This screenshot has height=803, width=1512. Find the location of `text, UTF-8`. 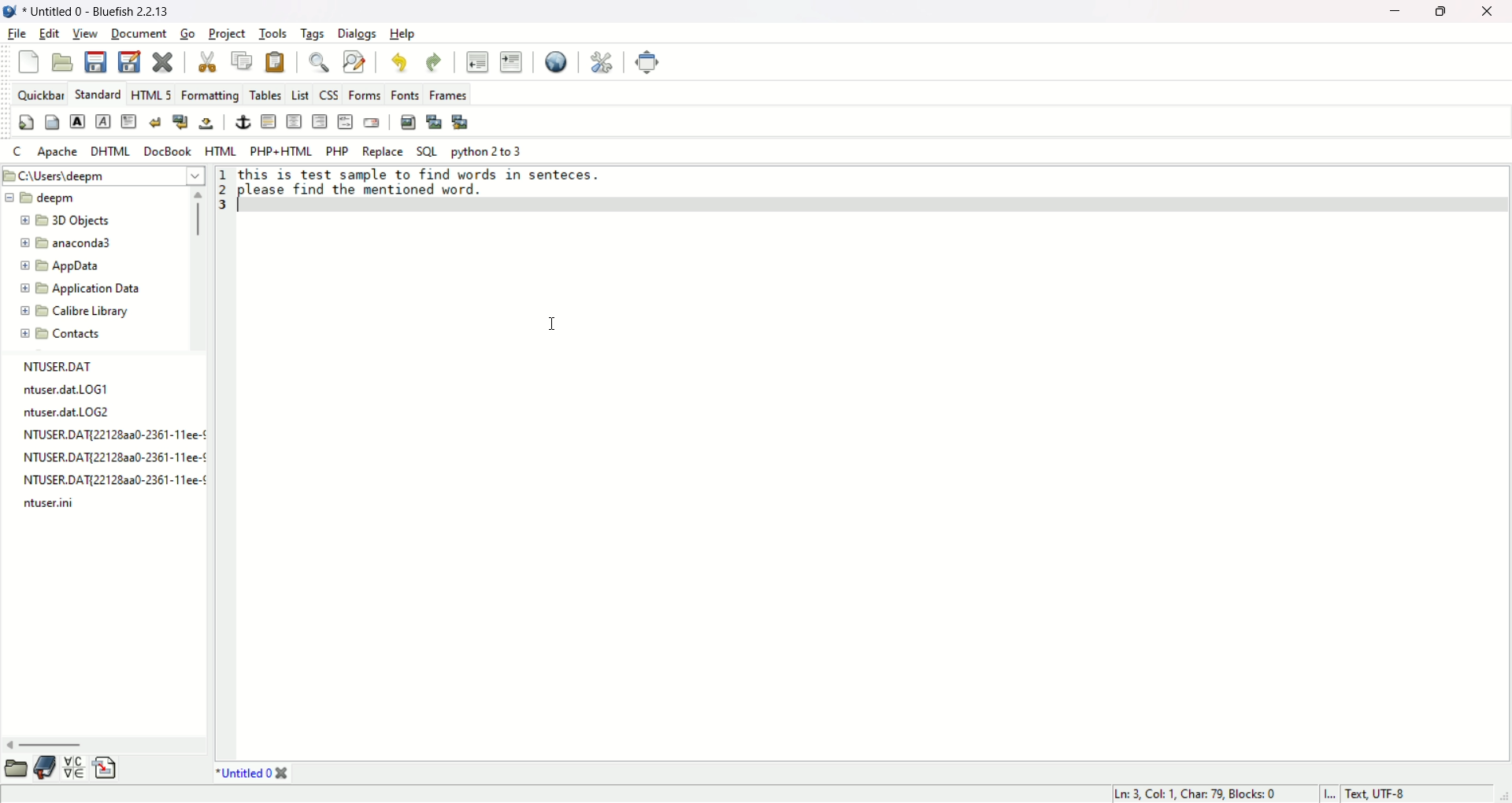

text, UTF-8 is located at coordinates (1379, 794).